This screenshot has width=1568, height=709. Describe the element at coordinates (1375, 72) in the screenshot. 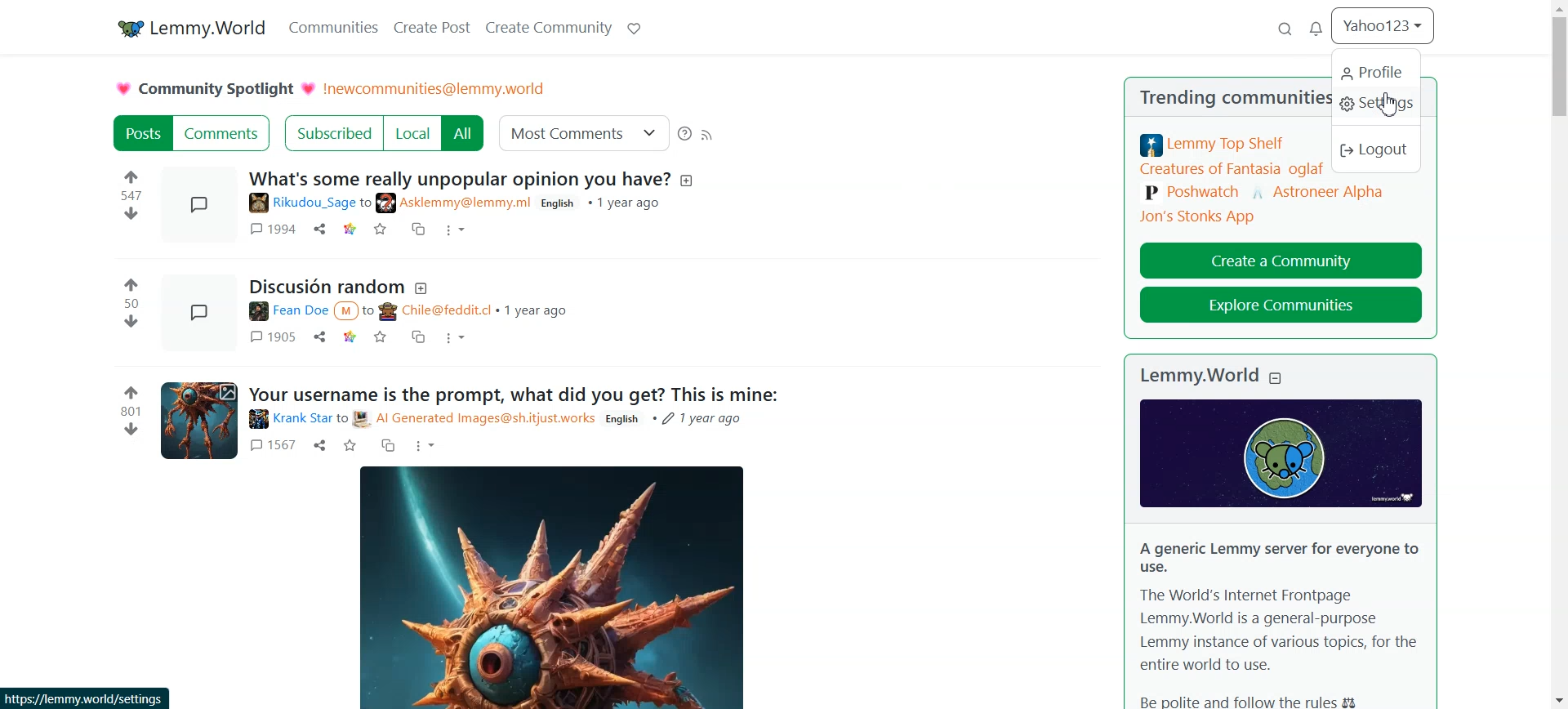

I see `Profile` at that location.